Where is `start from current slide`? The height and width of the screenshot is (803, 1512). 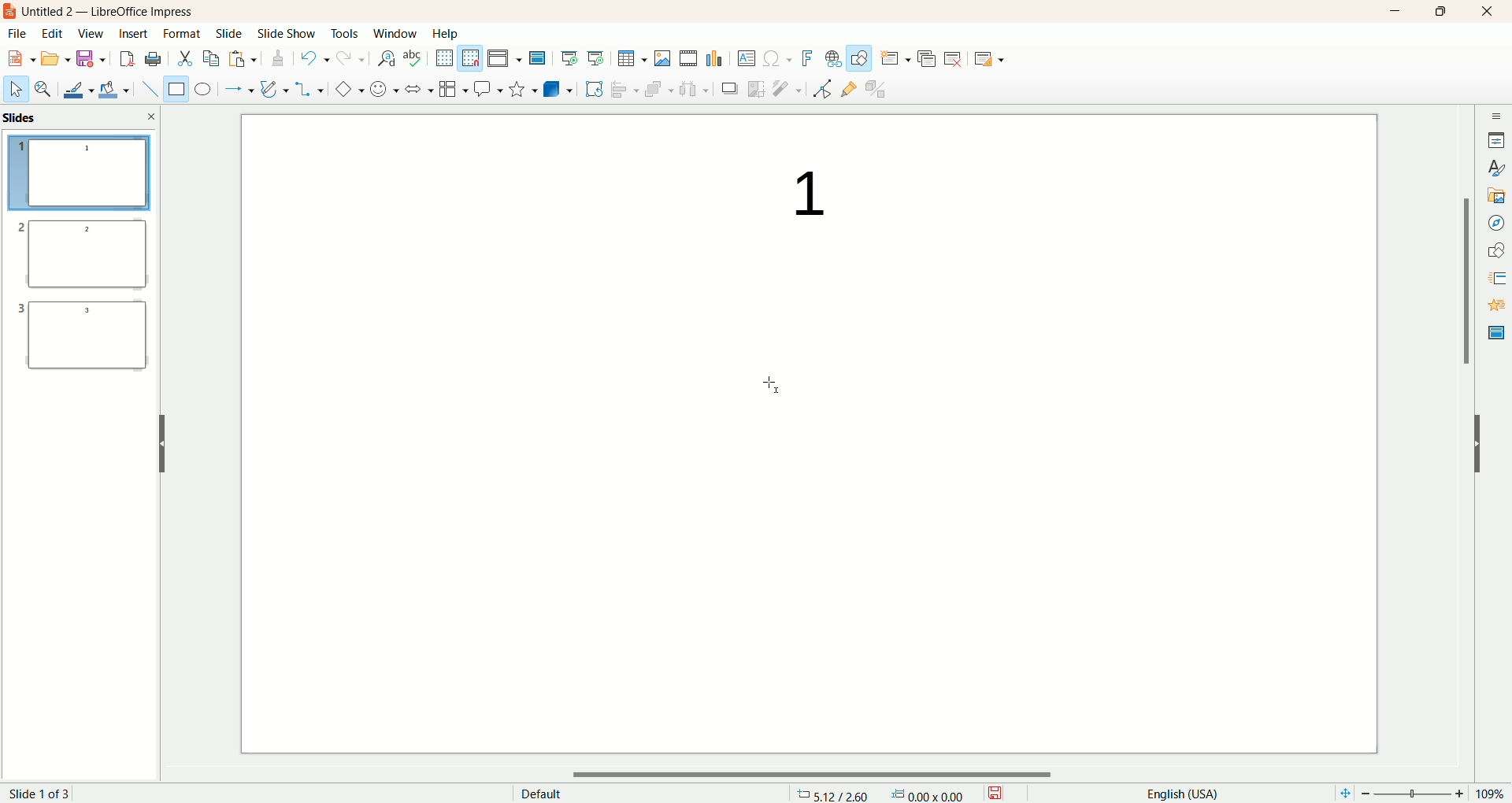 start from current slide is located at coordinates (596, 56).